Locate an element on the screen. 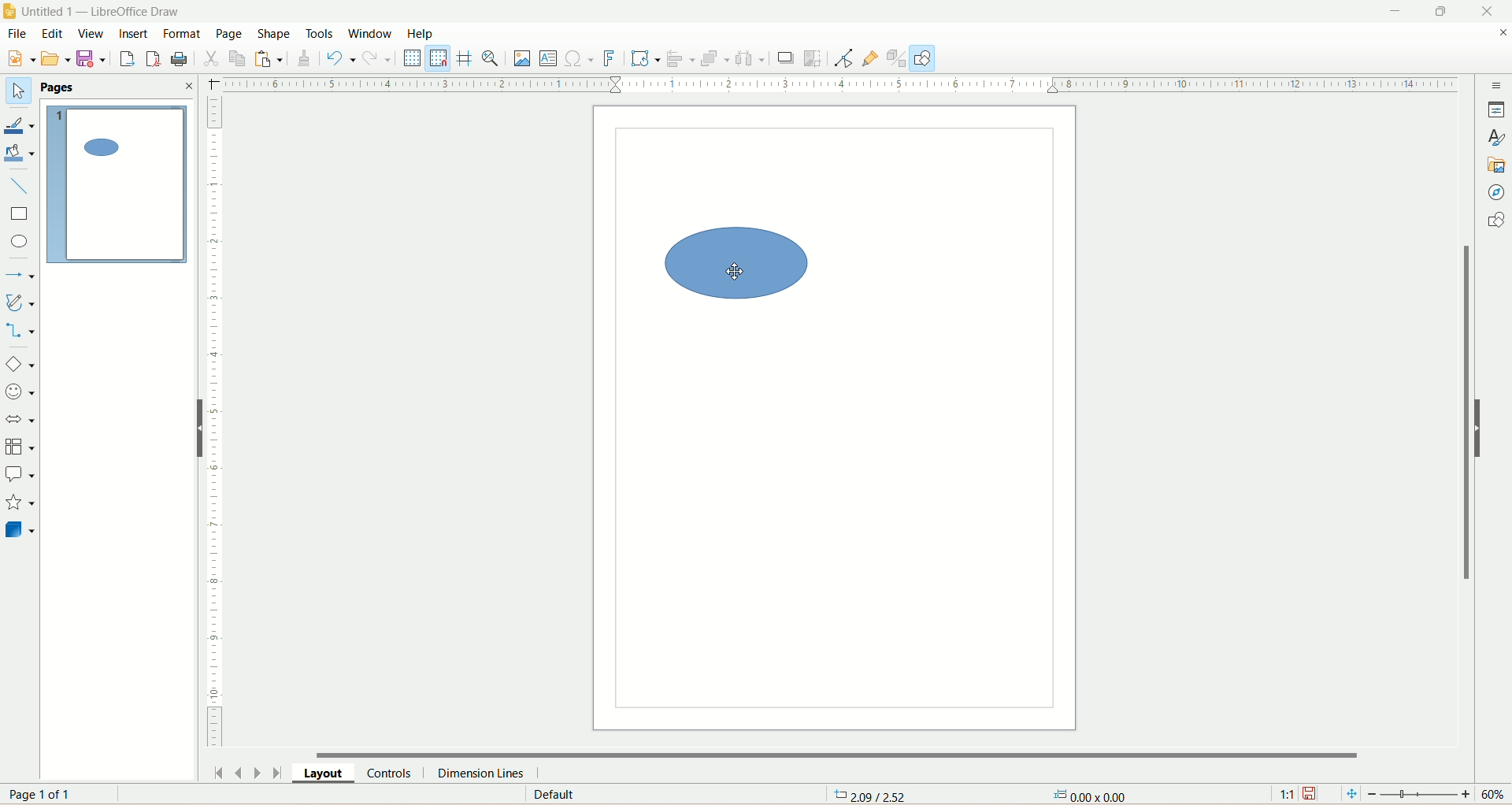 This screenshot has width=1512, height=805. special character is located at coordinates (578, 59).